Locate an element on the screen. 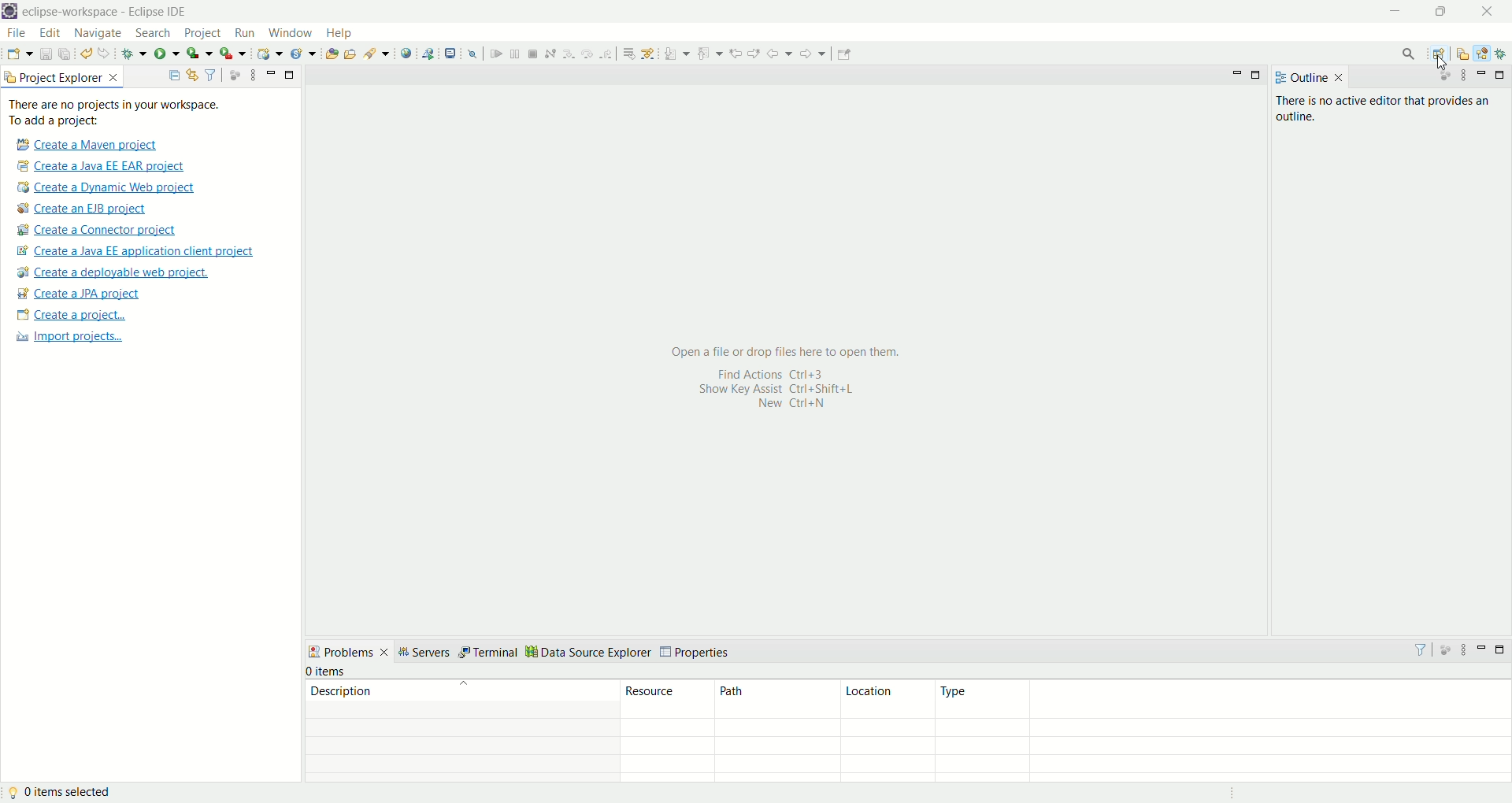  previous edit location is located at coordinates (754, 54).